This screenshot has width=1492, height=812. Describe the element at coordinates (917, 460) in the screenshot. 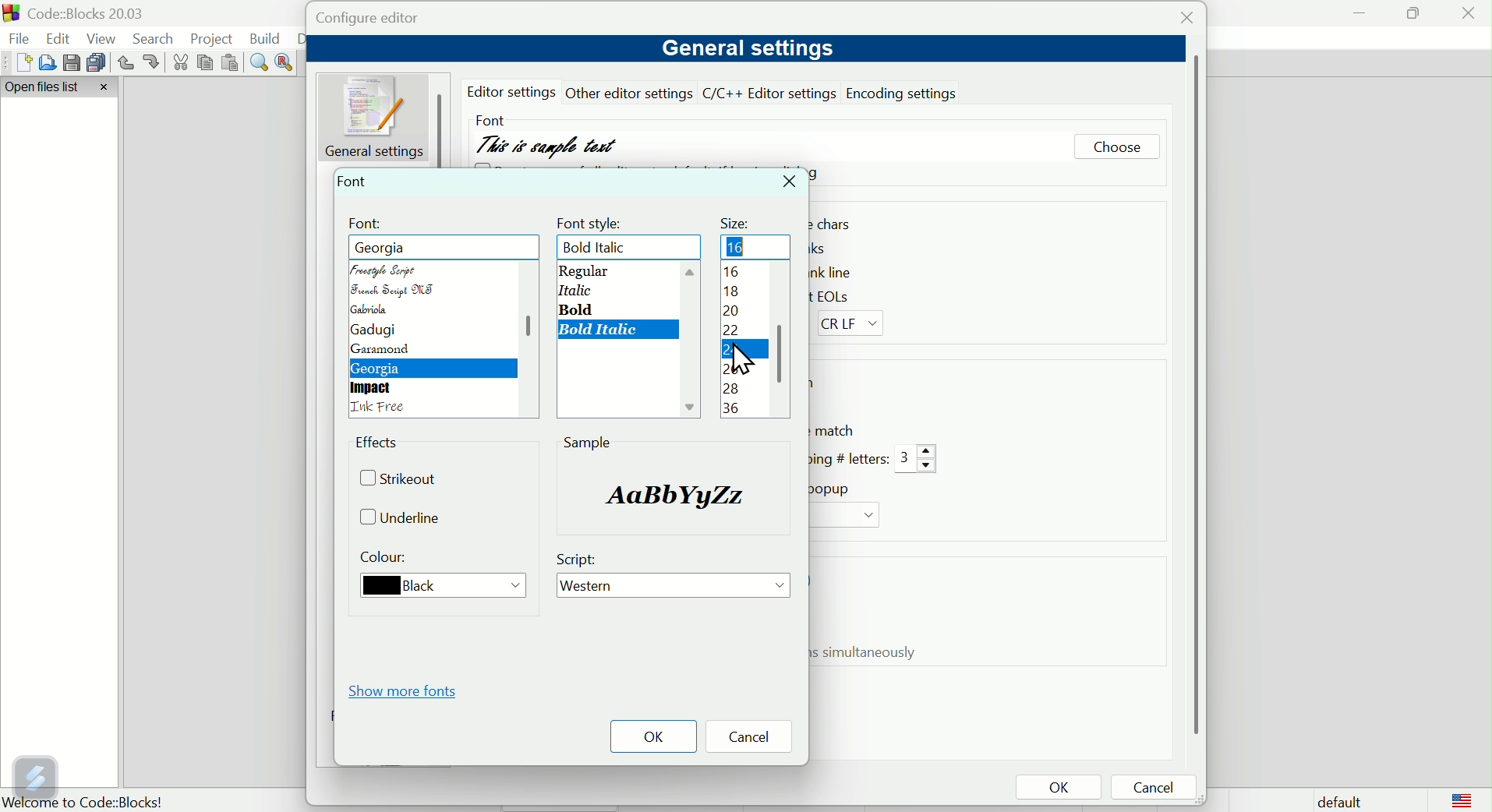

I see `3` at that location.